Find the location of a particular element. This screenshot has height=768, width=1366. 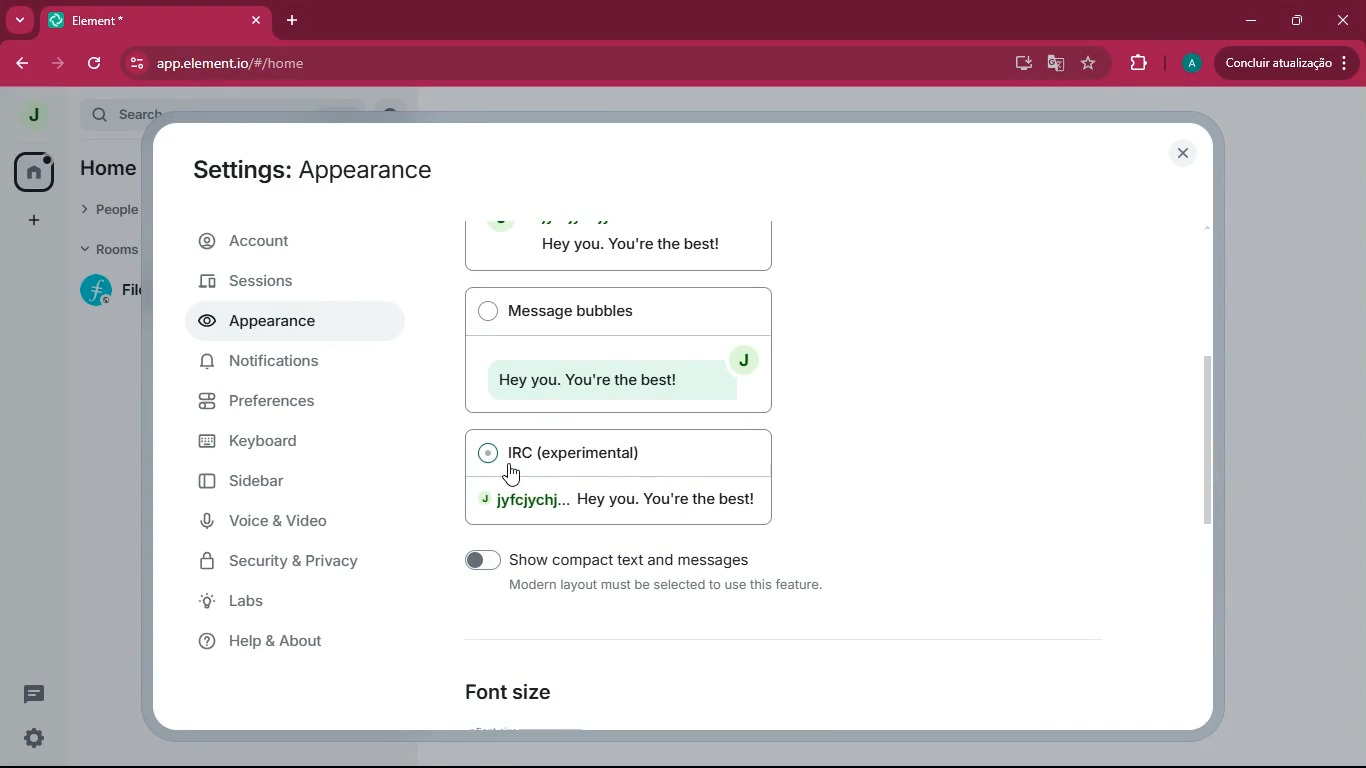

Settings: Appearance is located at coordinates (314, 169).